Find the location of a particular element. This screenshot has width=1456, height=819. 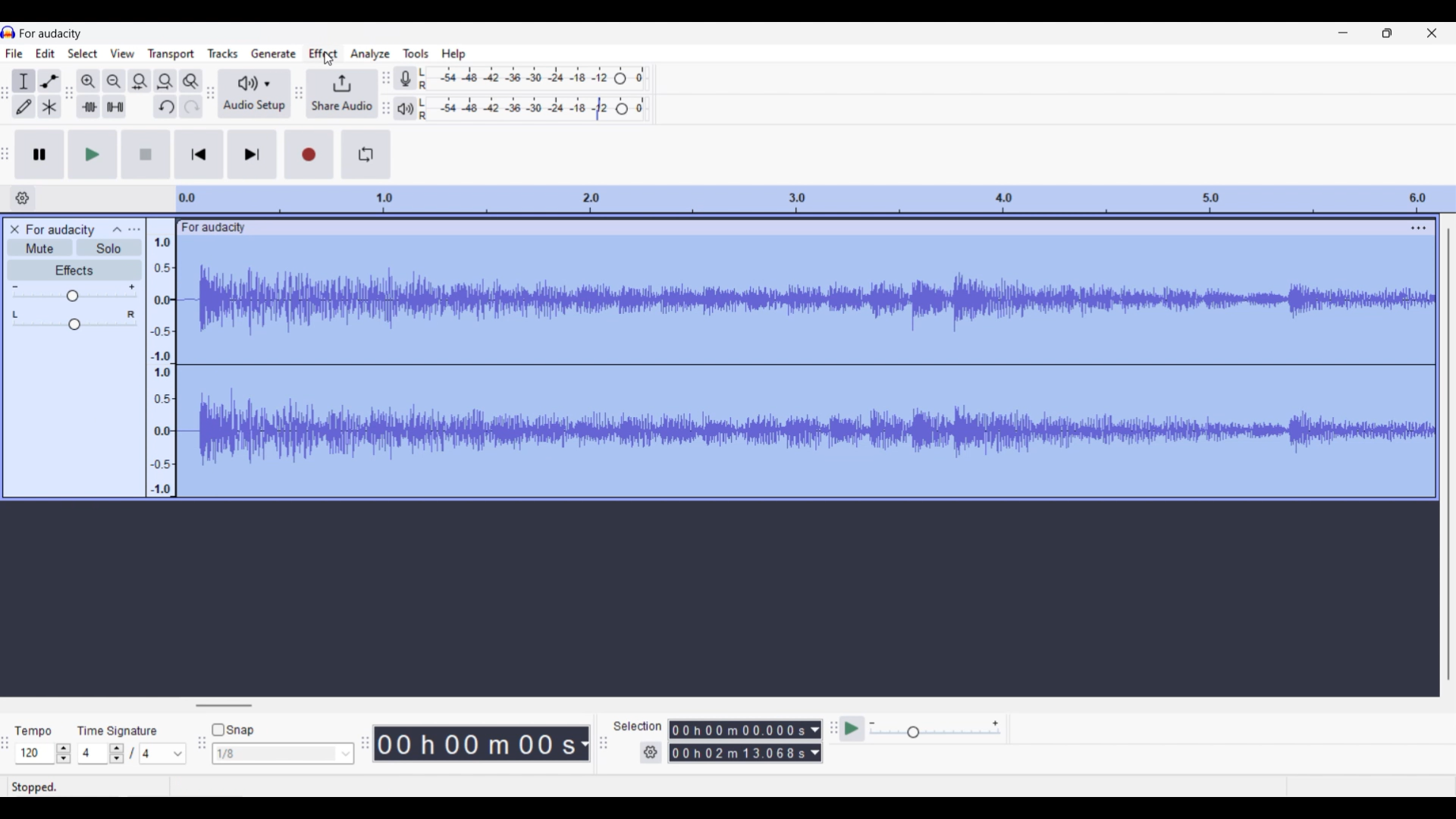

Undo is located at coordinates (165, 106).